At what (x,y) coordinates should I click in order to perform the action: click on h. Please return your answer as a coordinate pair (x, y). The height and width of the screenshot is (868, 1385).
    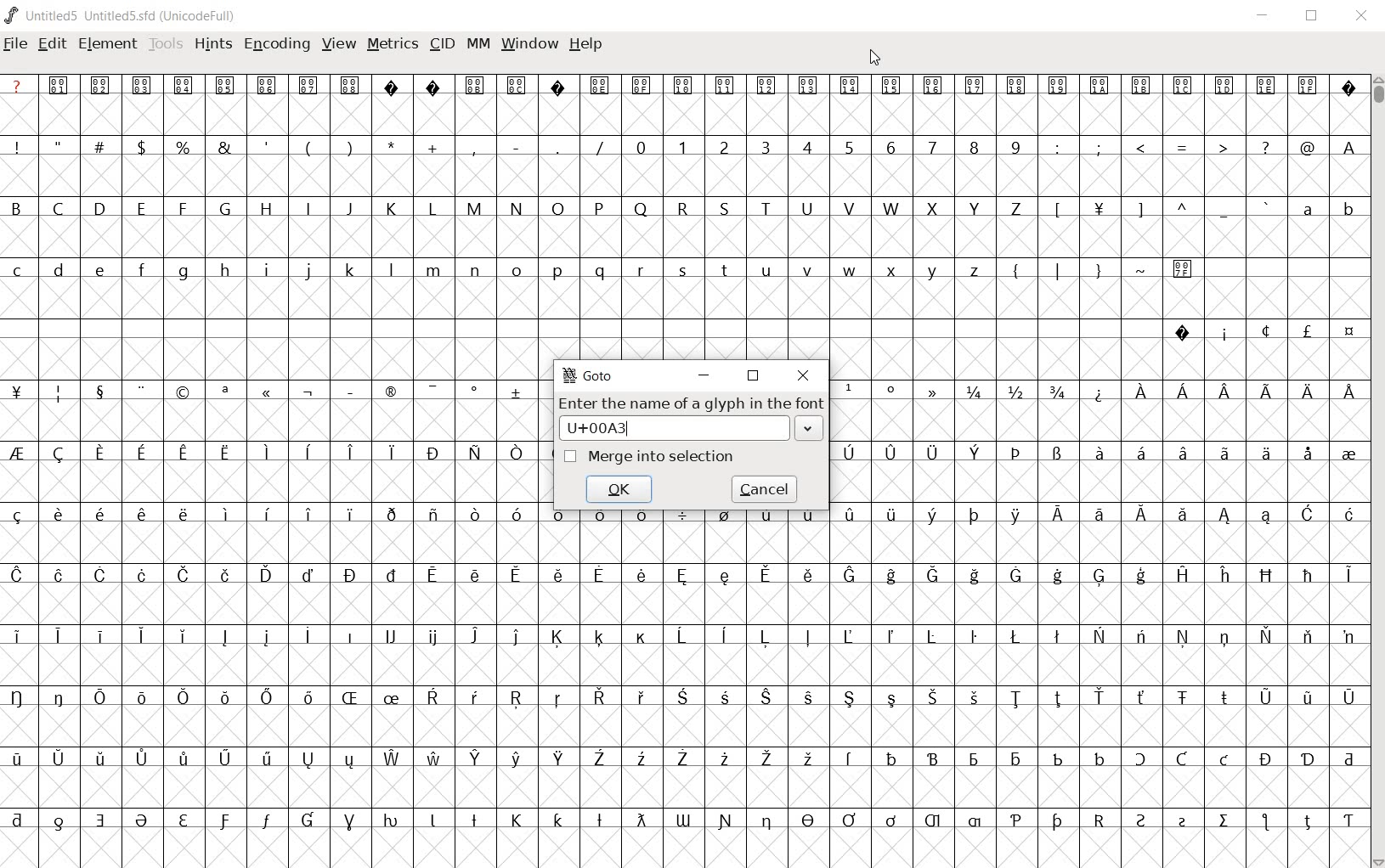
    Looking at the image, I should click on (226, 270).